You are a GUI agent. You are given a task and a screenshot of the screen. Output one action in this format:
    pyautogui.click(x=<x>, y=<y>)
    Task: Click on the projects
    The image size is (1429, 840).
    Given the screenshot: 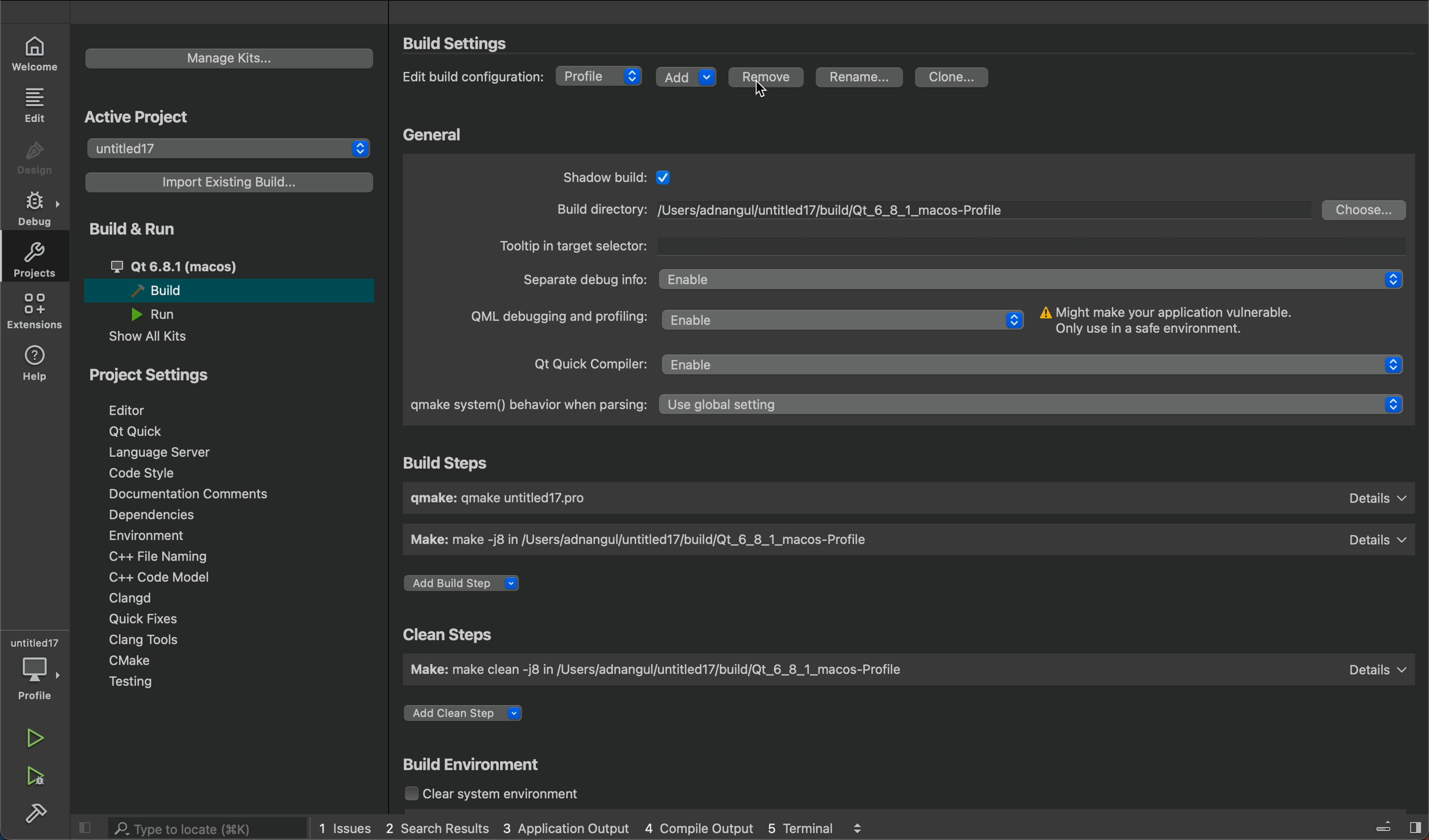 What is the action you would take?
    pyautogui.click(x=37, y=261)
    